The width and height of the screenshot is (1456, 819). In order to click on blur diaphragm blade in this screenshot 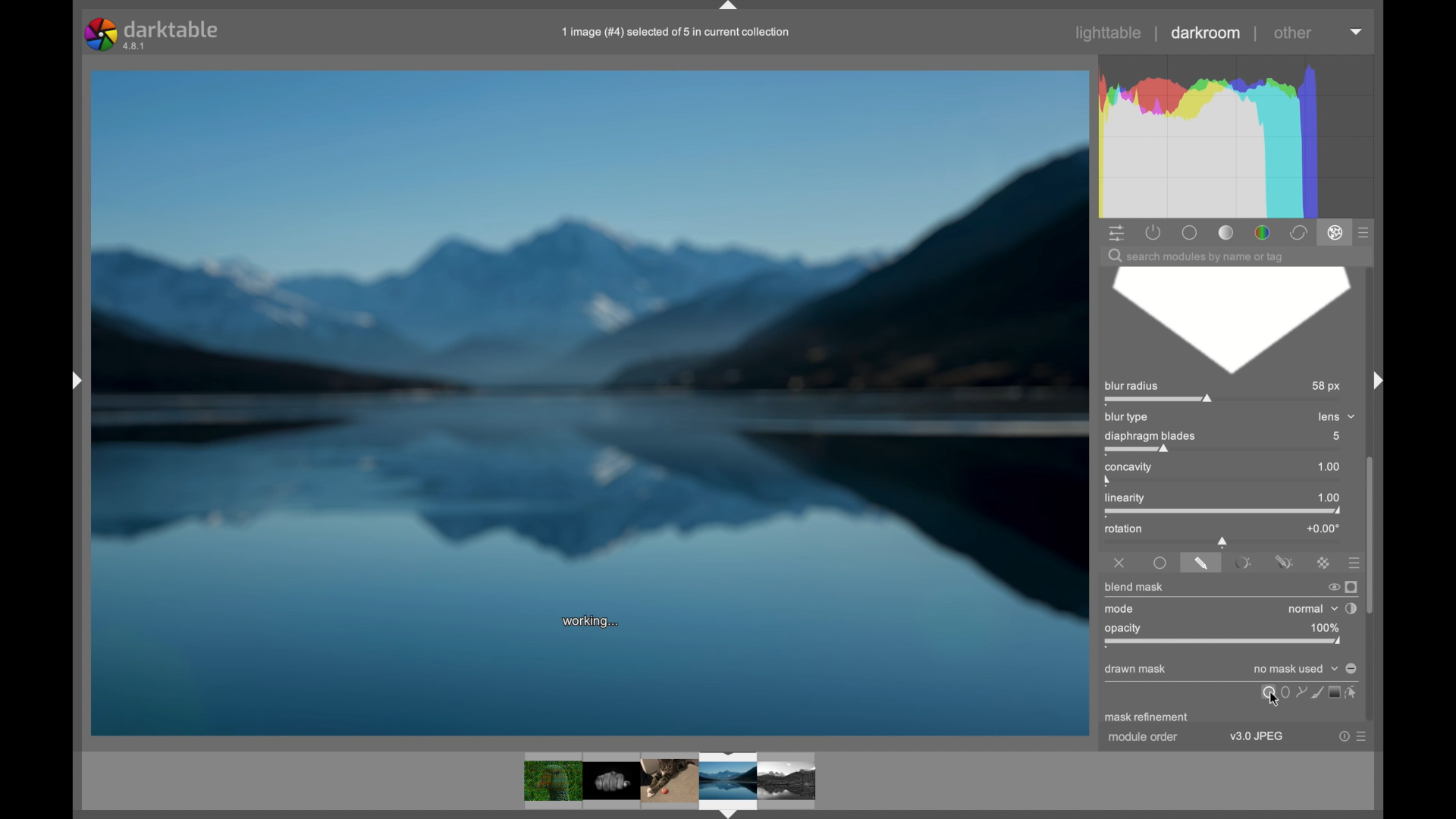, I will do `click(1228, 322)`.